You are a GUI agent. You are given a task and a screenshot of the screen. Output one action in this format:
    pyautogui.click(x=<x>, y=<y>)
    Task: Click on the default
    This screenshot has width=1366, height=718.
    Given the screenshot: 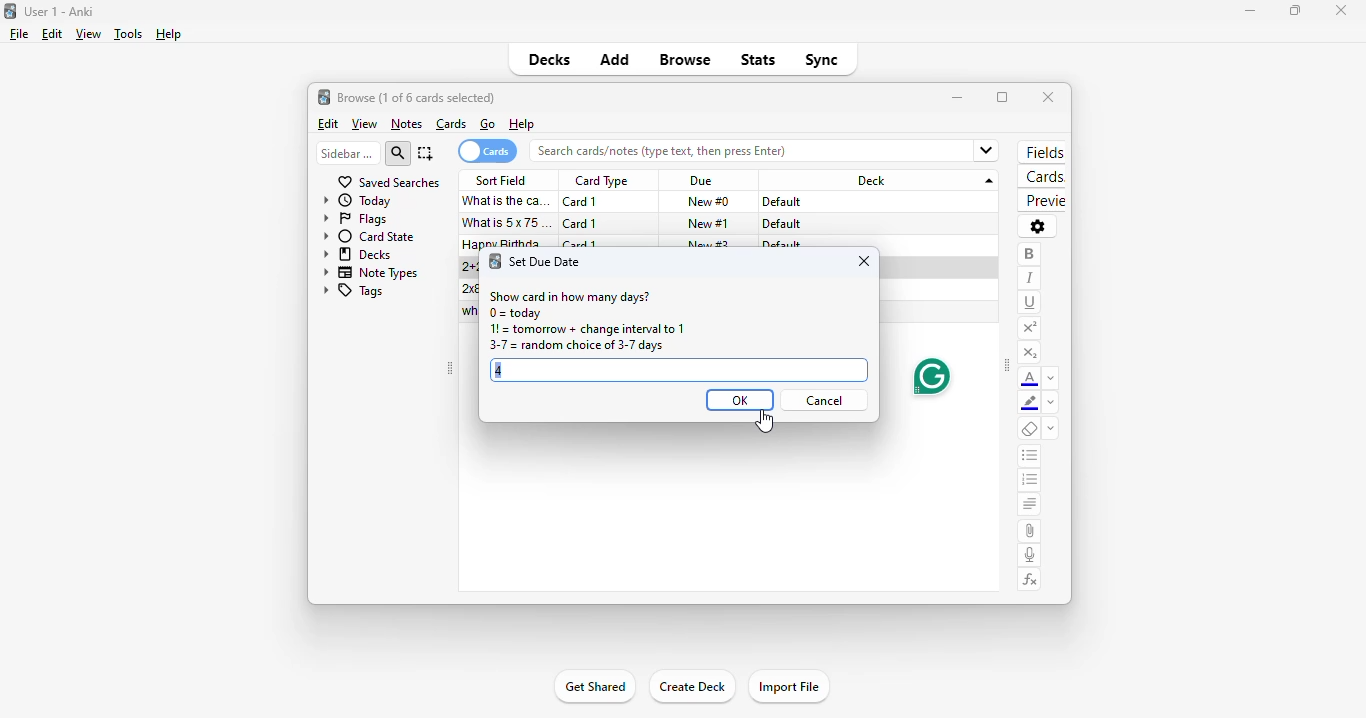 What is the action you would take?
    pyautogui.click(x=781, y=224)
    